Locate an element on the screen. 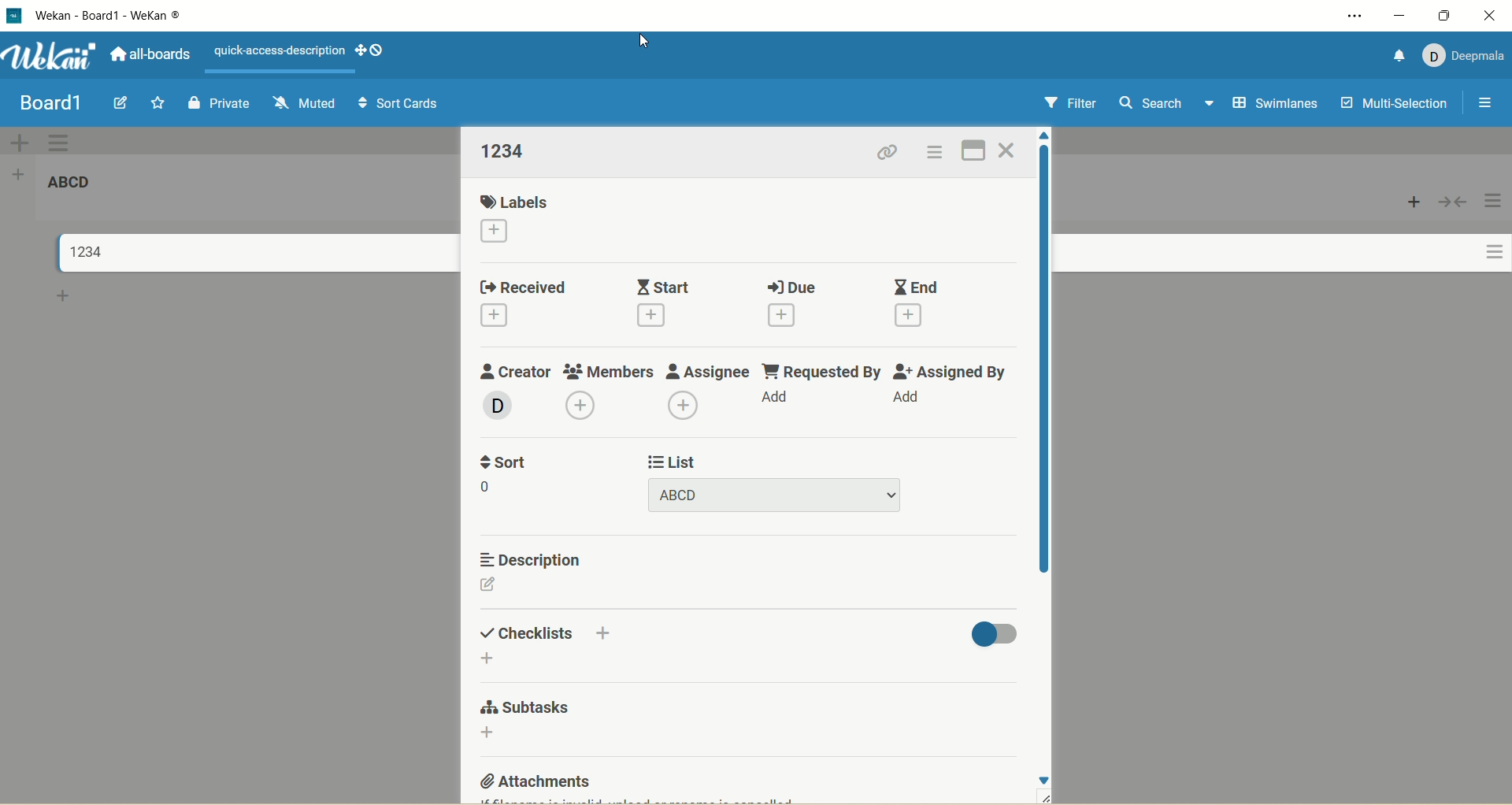 Image resolution: width=1512 pixels, height=805 pixels. number is located at coordinates (489, 488).